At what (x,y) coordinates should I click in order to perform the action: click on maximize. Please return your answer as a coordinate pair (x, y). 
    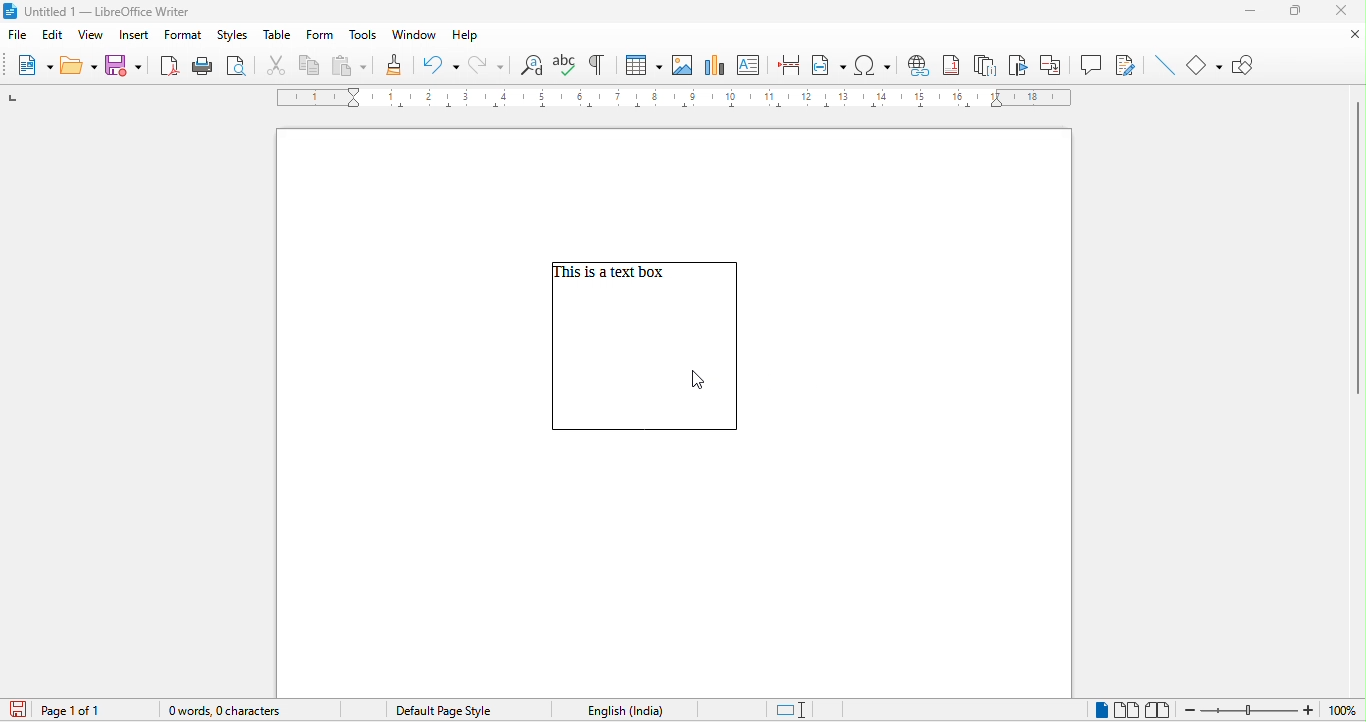
    Looking at the image, I should click on (1295, 10).